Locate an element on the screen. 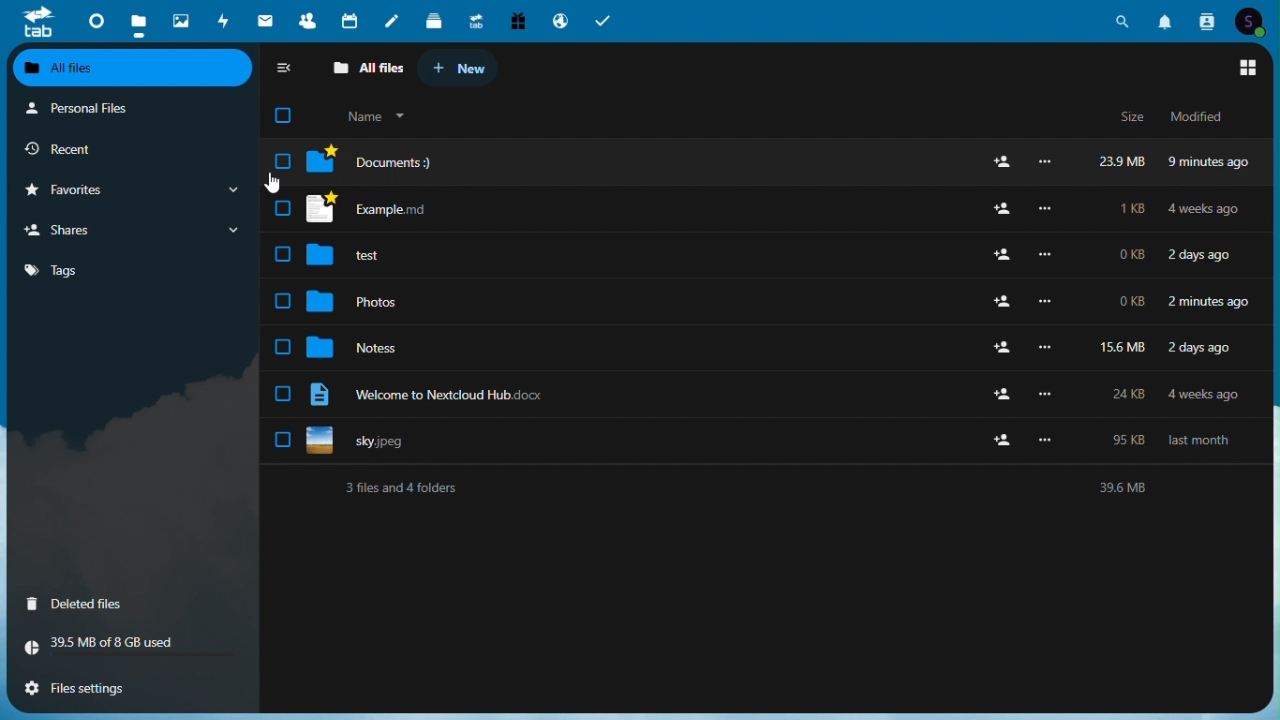  Storage is located at coordinates (131, 648).